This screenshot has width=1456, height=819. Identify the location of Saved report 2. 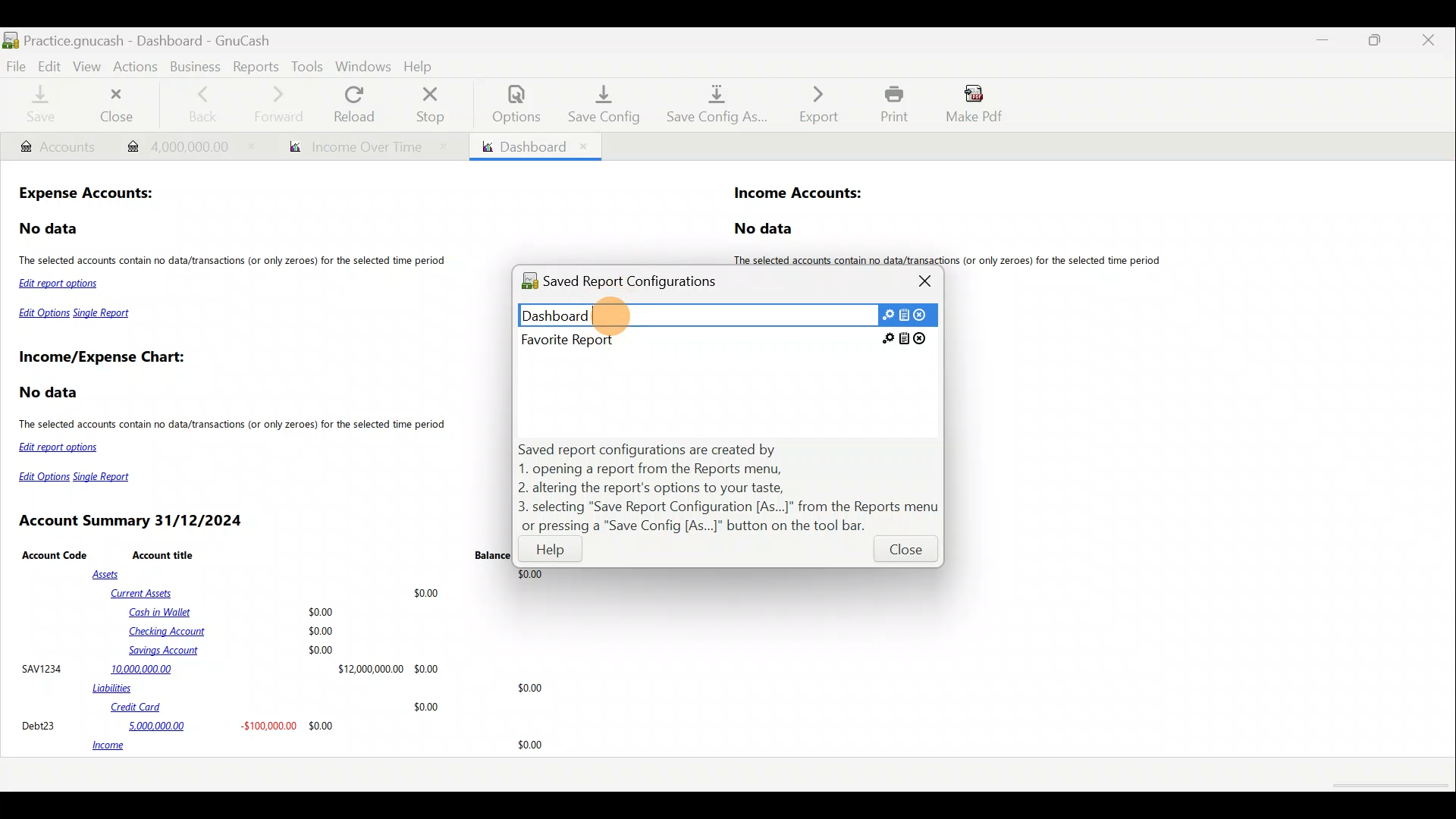
(725, 339).